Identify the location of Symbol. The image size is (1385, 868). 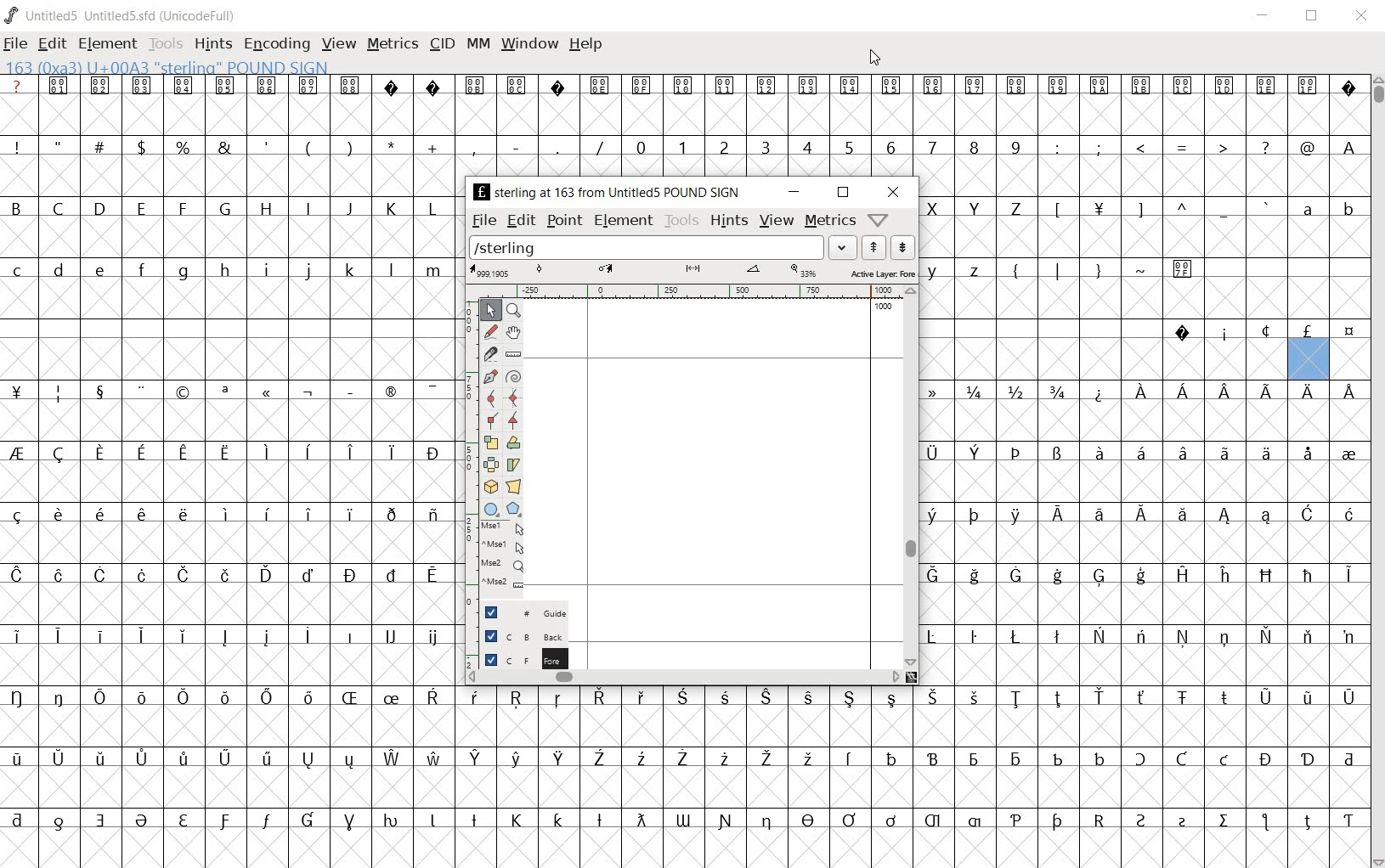
(599, 821).